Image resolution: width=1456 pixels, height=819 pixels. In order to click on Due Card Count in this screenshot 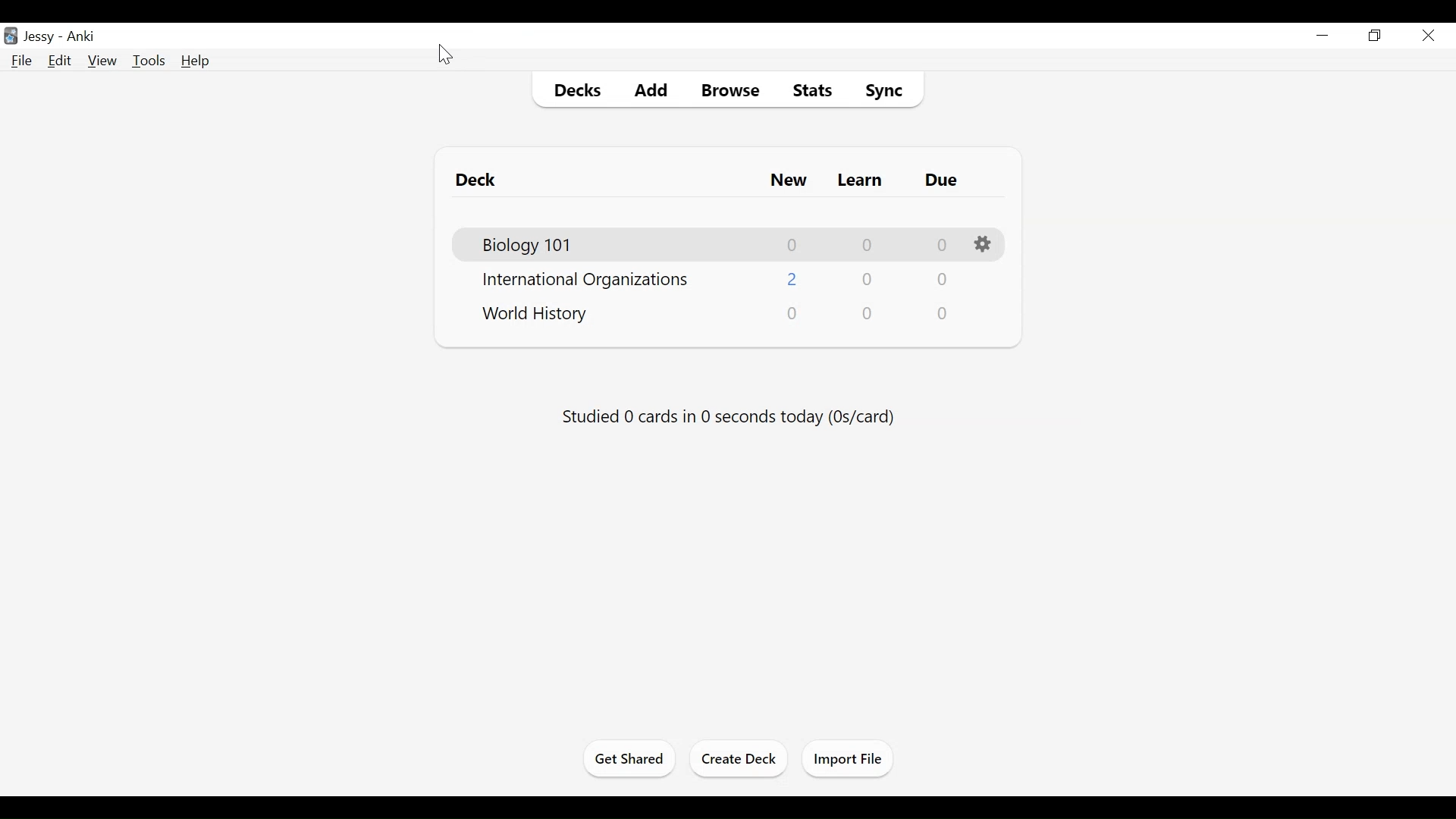, I will do `click(944, 313)`.